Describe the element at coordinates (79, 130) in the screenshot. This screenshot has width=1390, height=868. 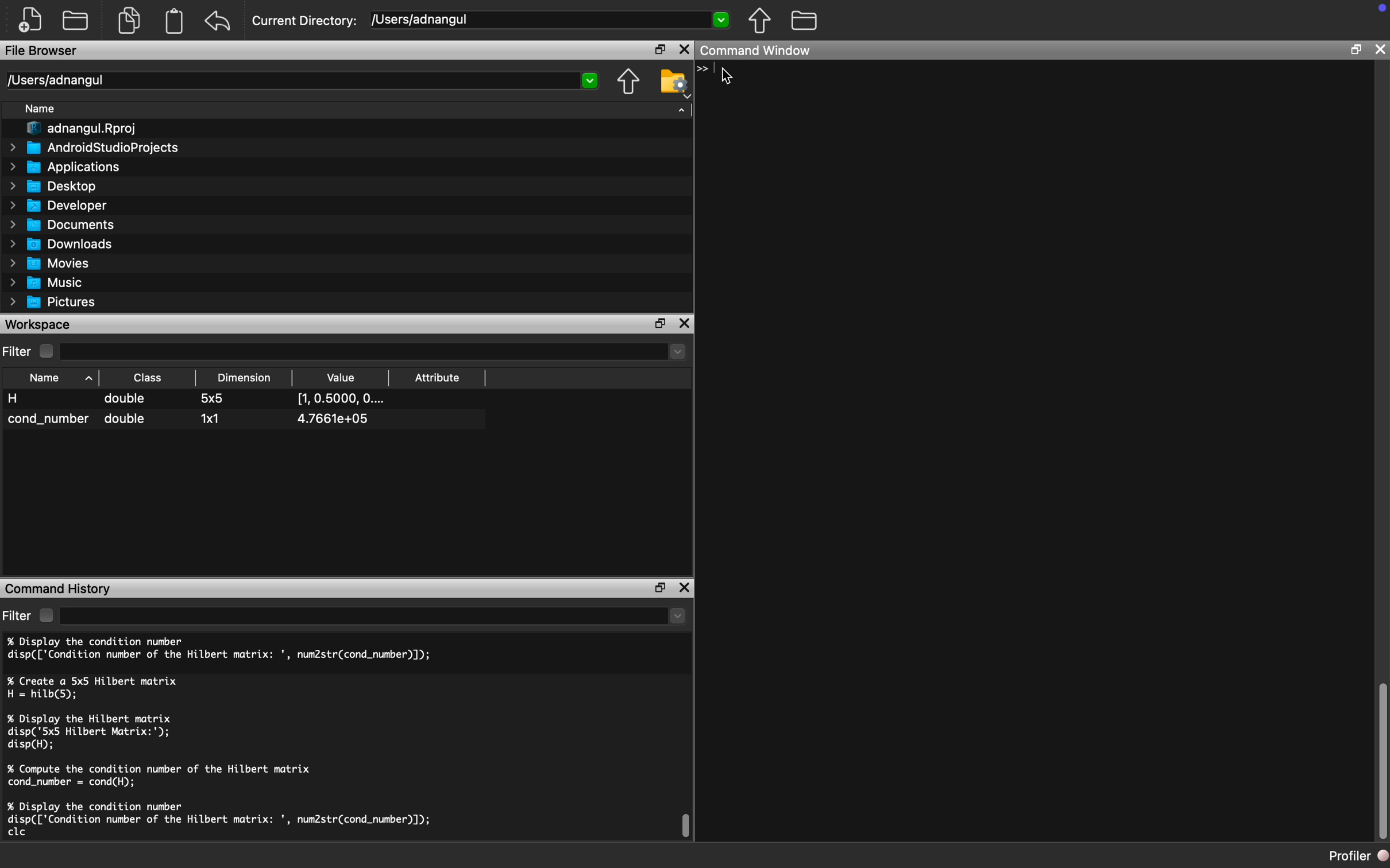
I see `adnangul.Rproj` at that location.